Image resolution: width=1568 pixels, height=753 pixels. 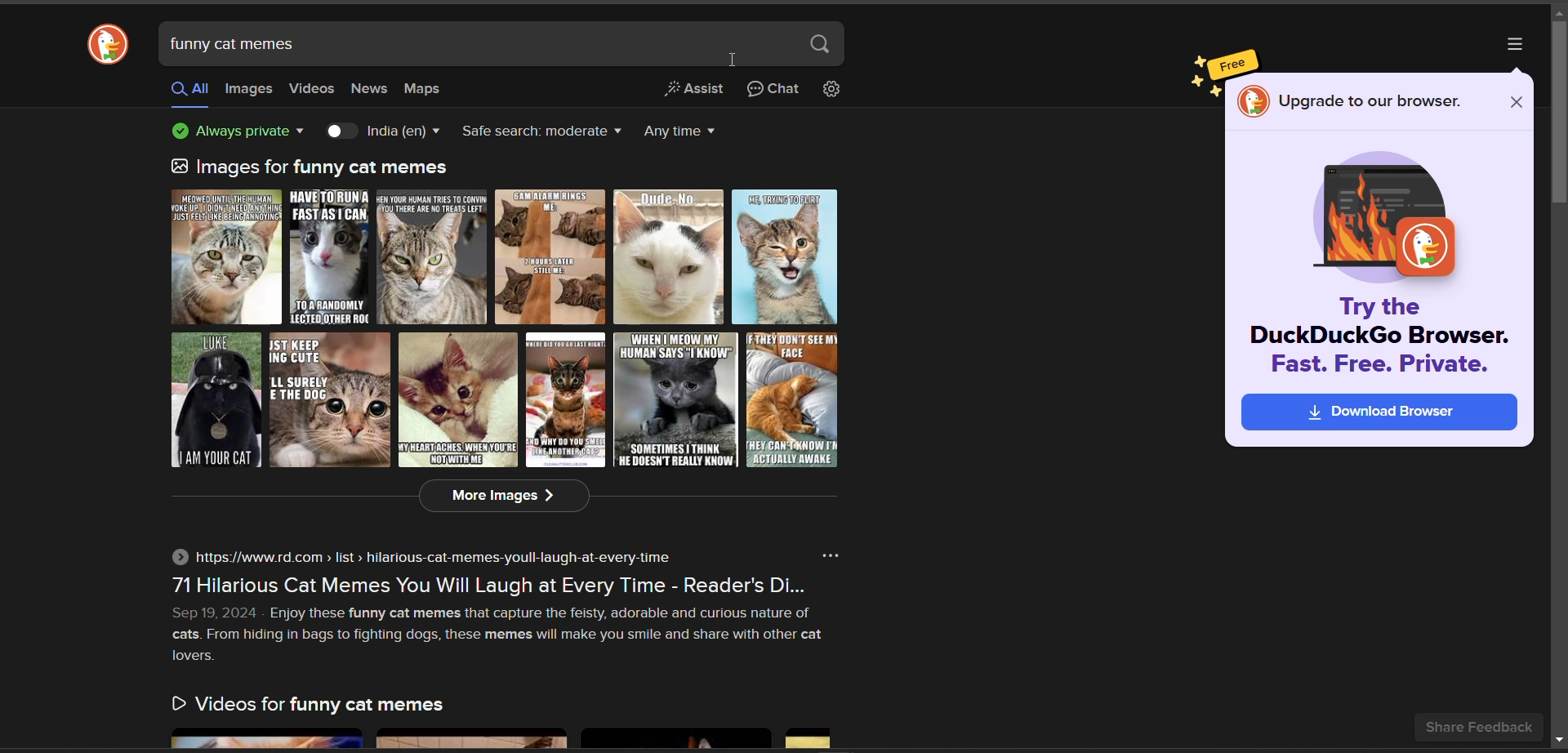 What do you see at coordinates (313, 167) in the screenshot?
I see `Images for funny cat memes` at bounding box center [313, 167].